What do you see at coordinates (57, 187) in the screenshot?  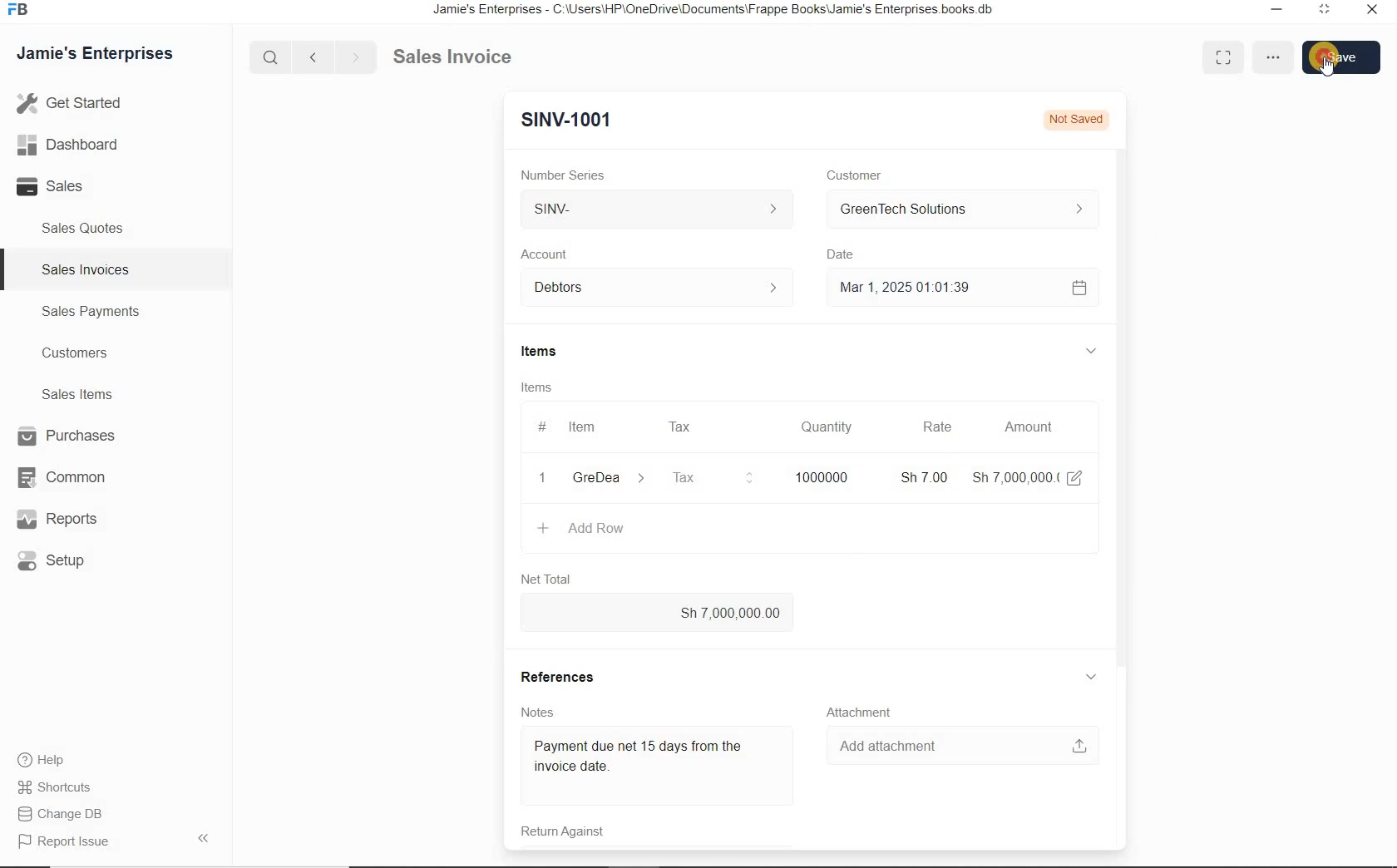 I see `Sales` at bounding box center [57, 187].